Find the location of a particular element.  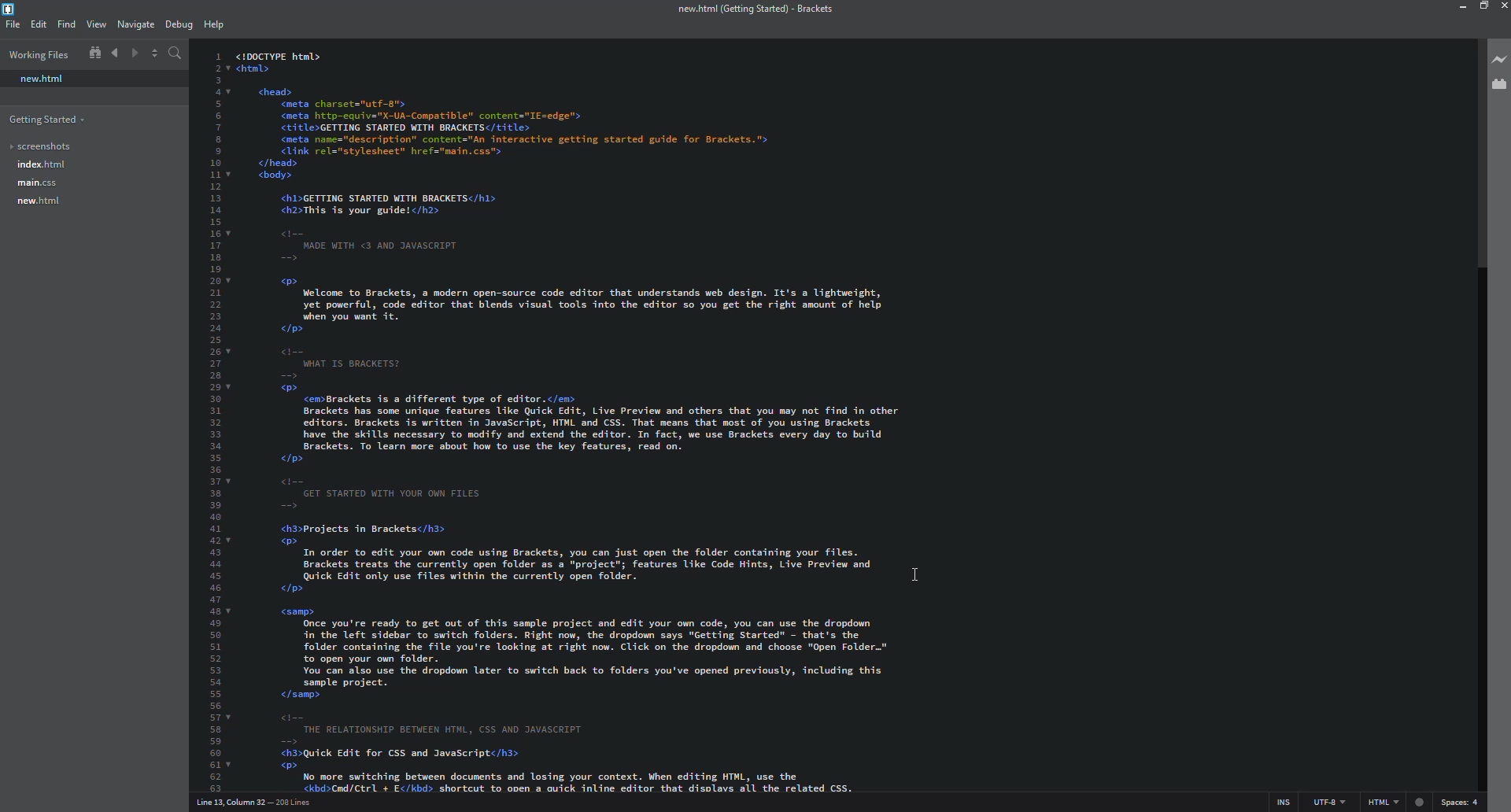

navigate is located at coordinates (135, 24).